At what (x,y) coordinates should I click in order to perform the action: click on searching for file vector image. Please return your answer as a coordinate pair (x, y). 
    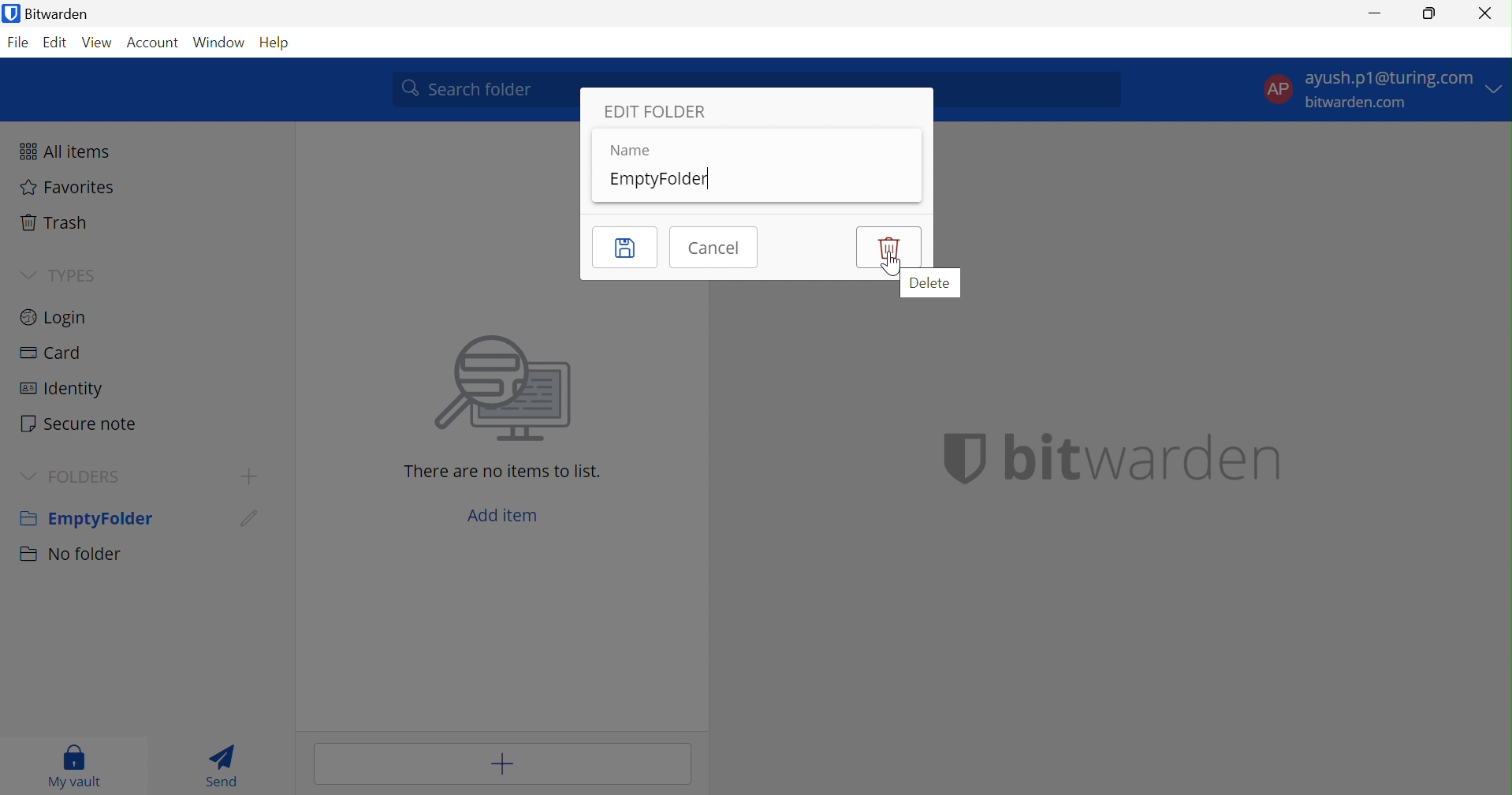
    Looking at the image, I should click on (496, 390).